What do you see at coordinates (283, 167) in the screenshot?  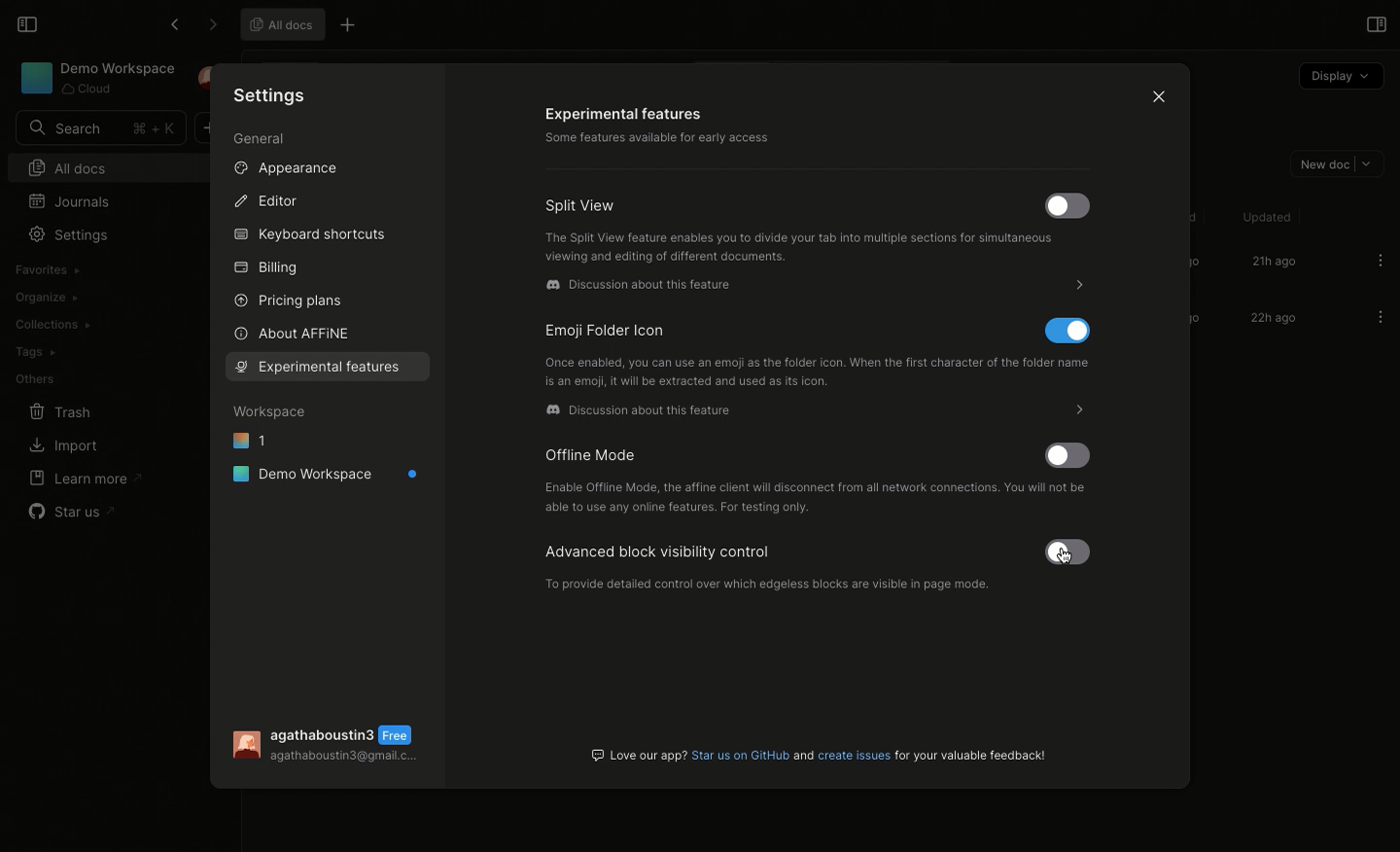 I see `Appearance` at bounding box center [283, 167].